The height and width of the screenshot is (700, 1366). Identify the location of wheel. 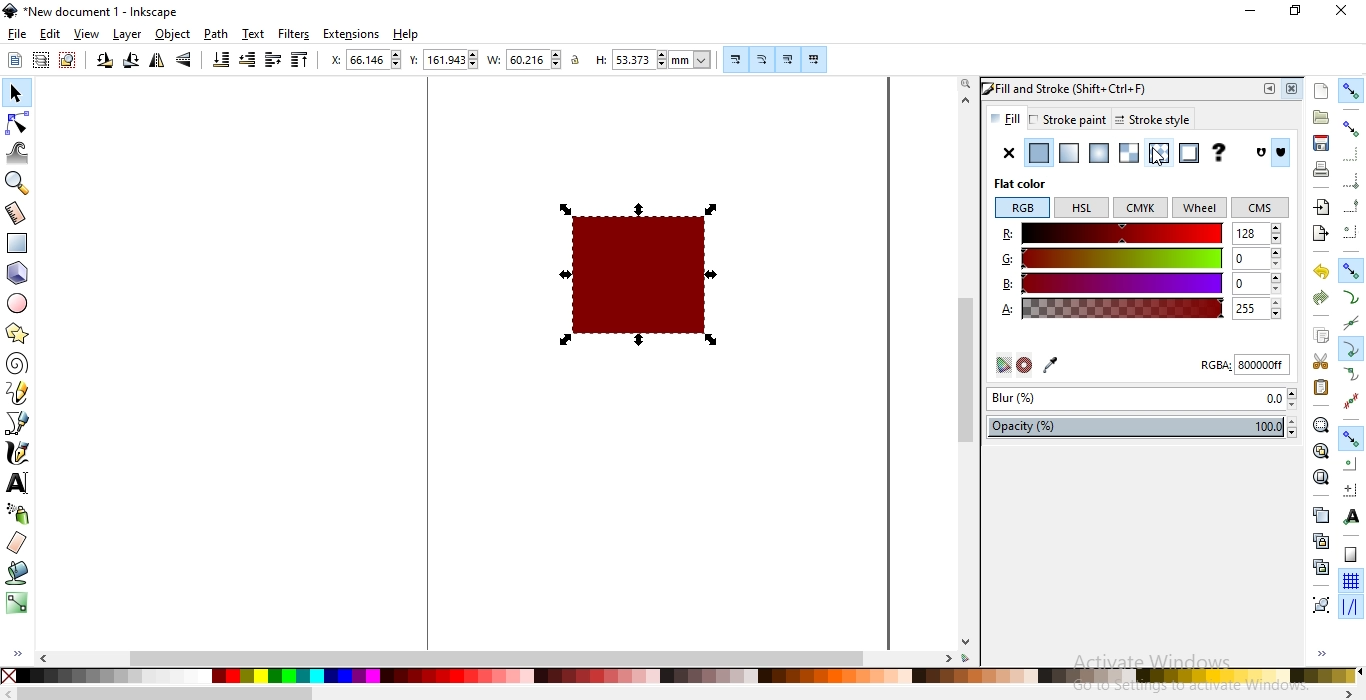
(1199, 209).